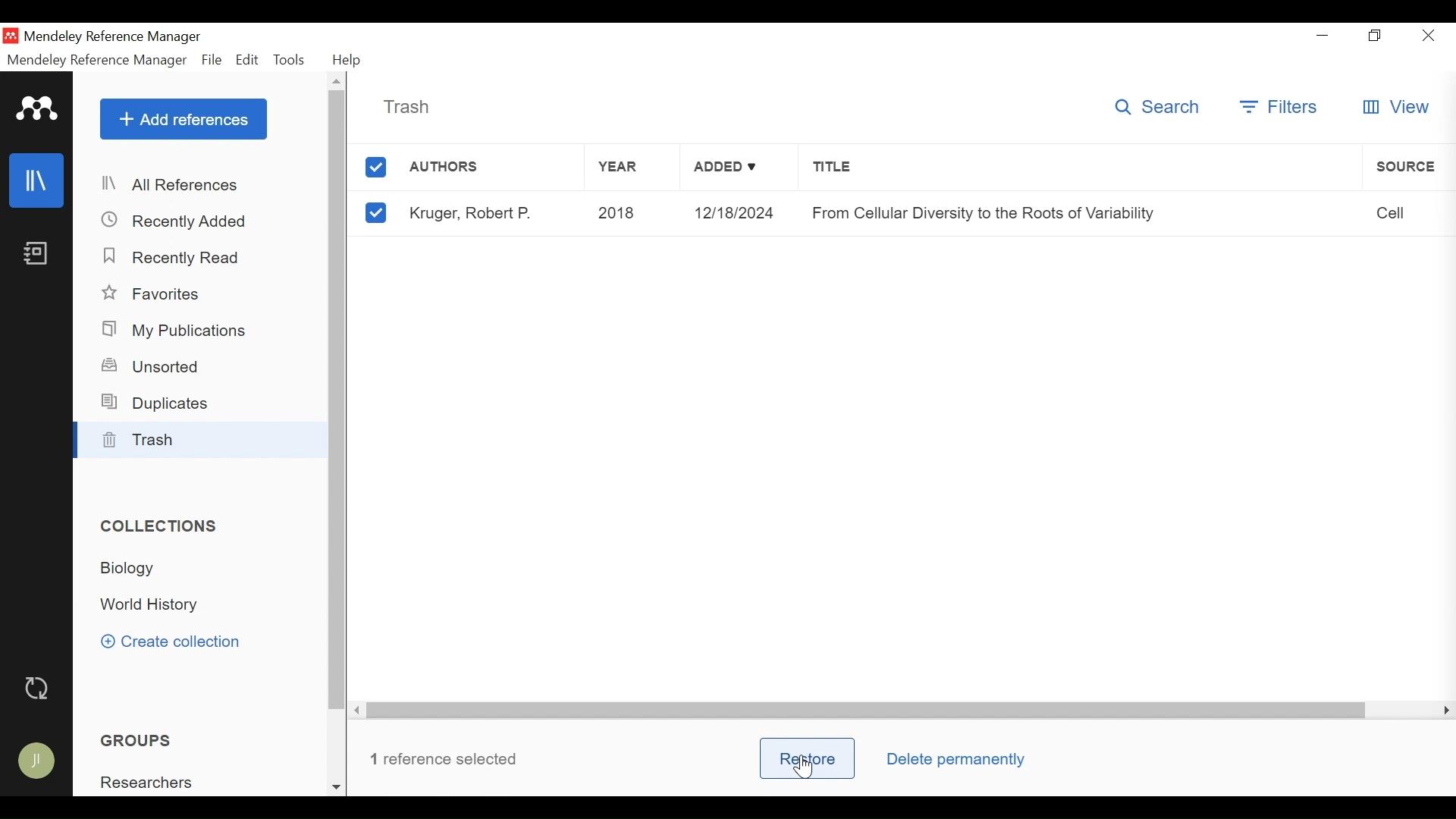 This screenshot has height=819, width=1456. What do you see at coordinates (1323, 36) in the screenshot?
I see `minimize` at bounding box center [1323, 36].